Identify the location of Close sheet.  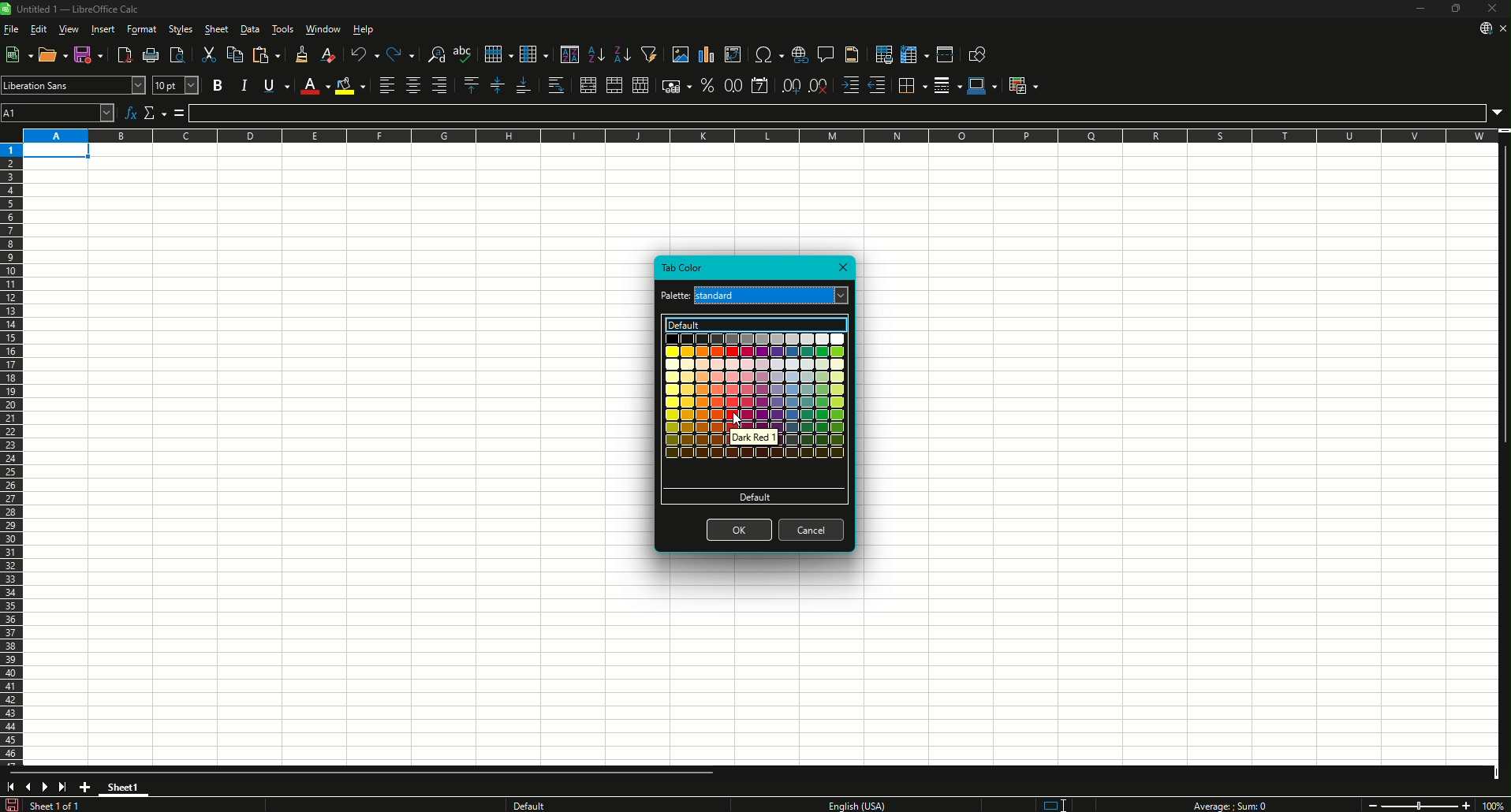
(1502, 28).